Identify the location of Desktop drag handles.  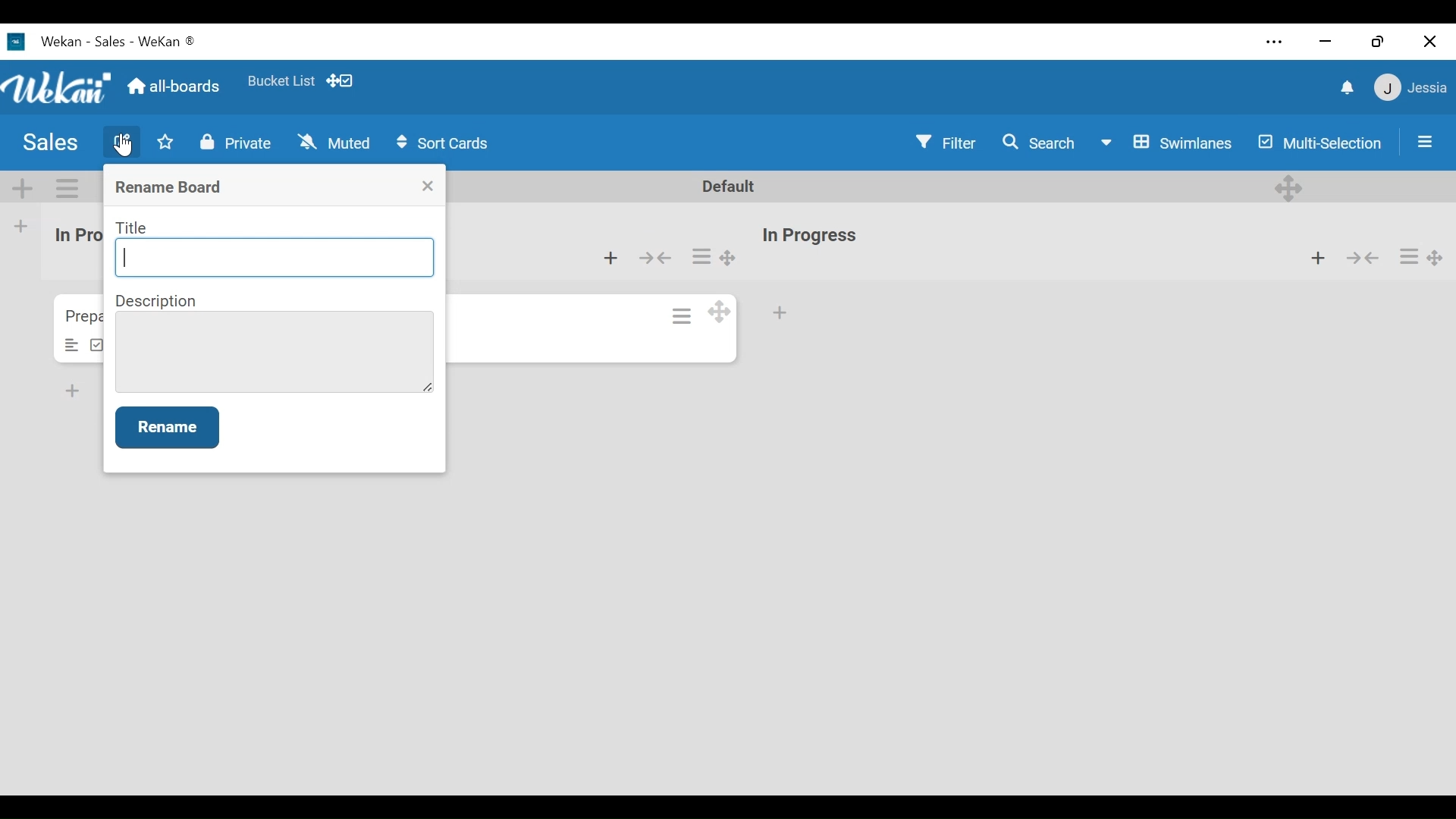
(727, 257).